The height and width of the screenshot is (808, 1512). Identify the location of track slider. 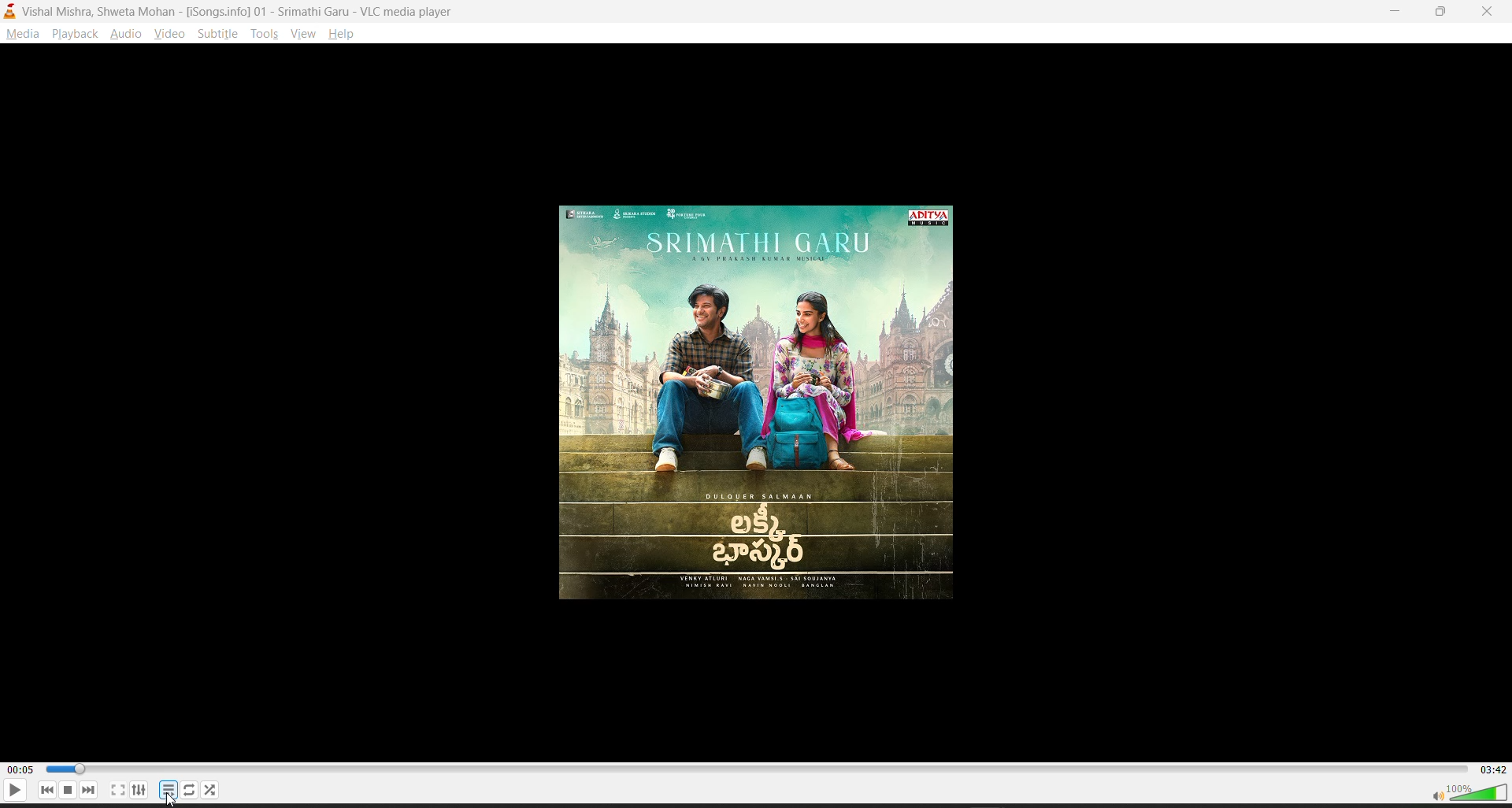
(754, 770).